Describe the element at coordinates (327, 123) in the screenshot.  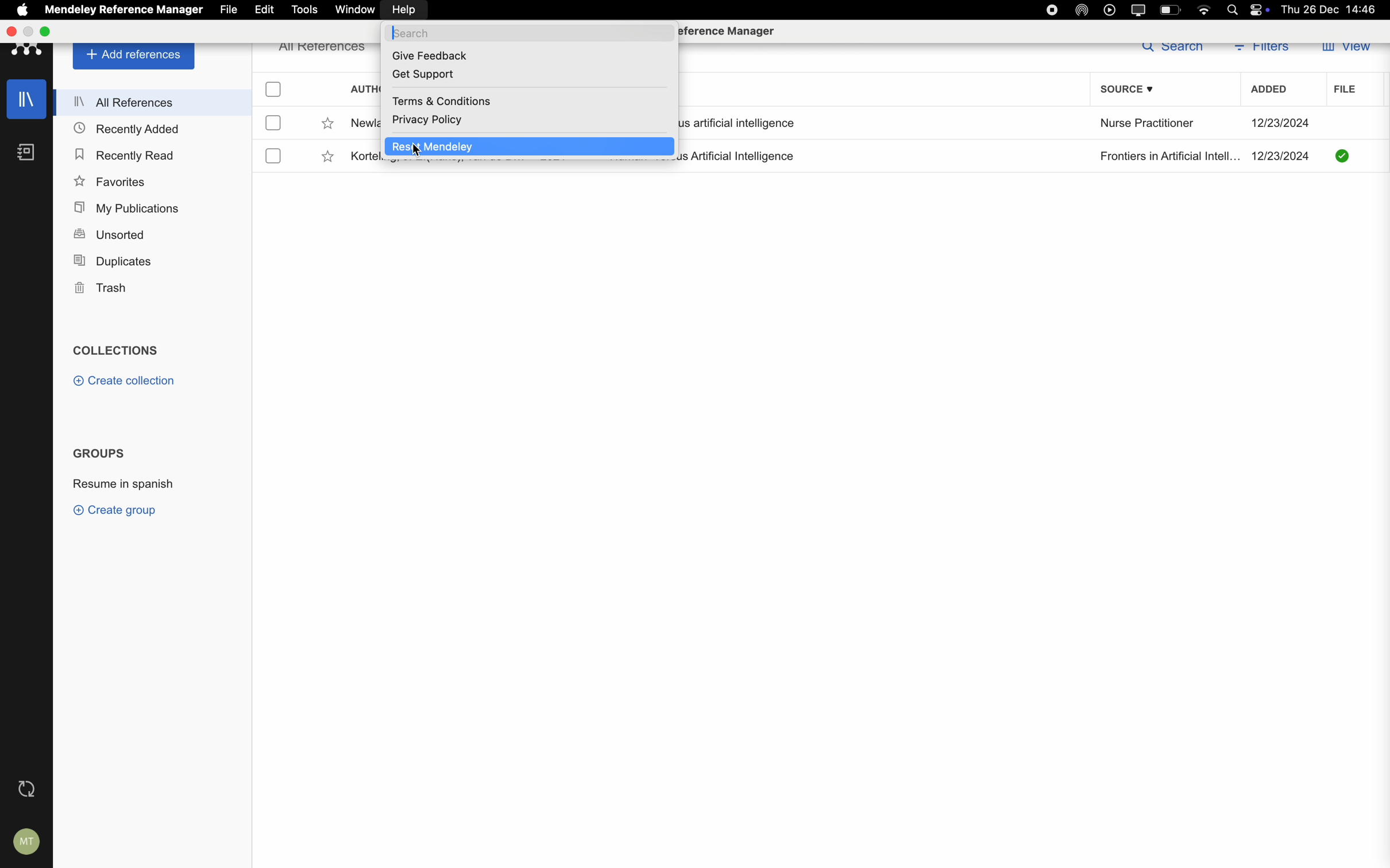
I see `favorite` at that location.